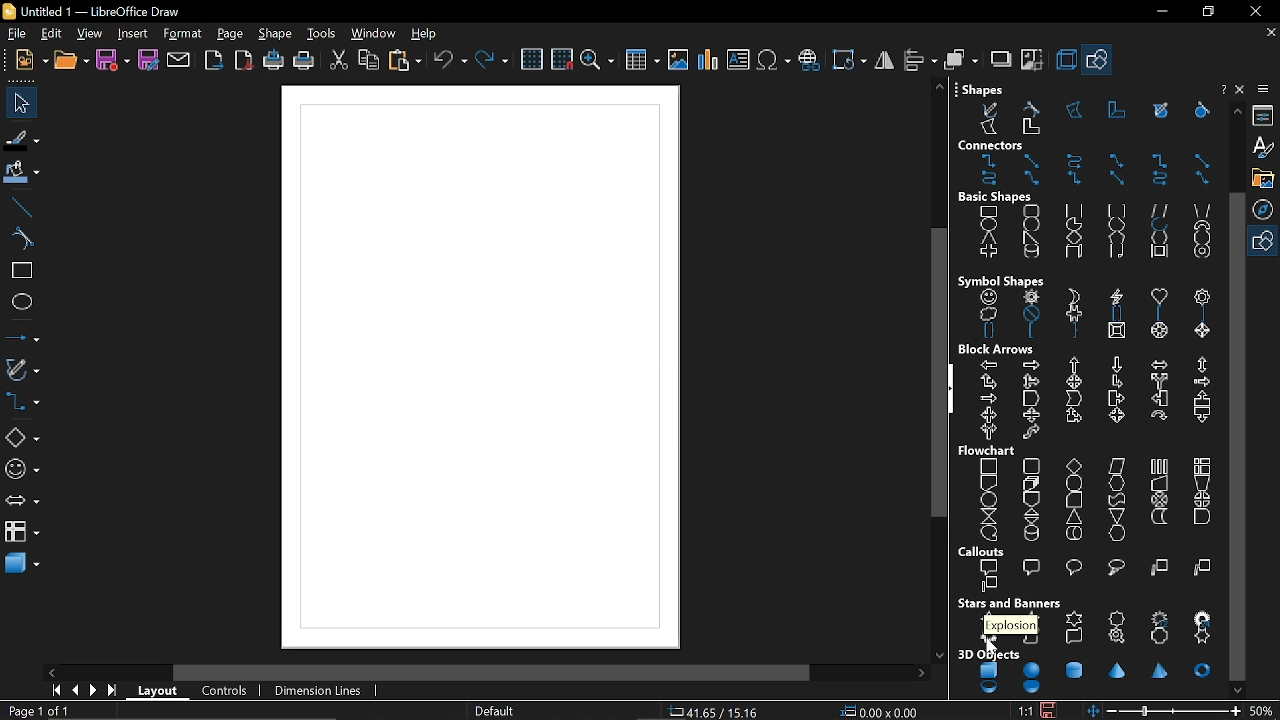 The height and width of the screenshot is (720, 1280). What do you see at coordinates (58, 692) in the screenshot?
I see `go to first page` at bounding box center [58, 692].